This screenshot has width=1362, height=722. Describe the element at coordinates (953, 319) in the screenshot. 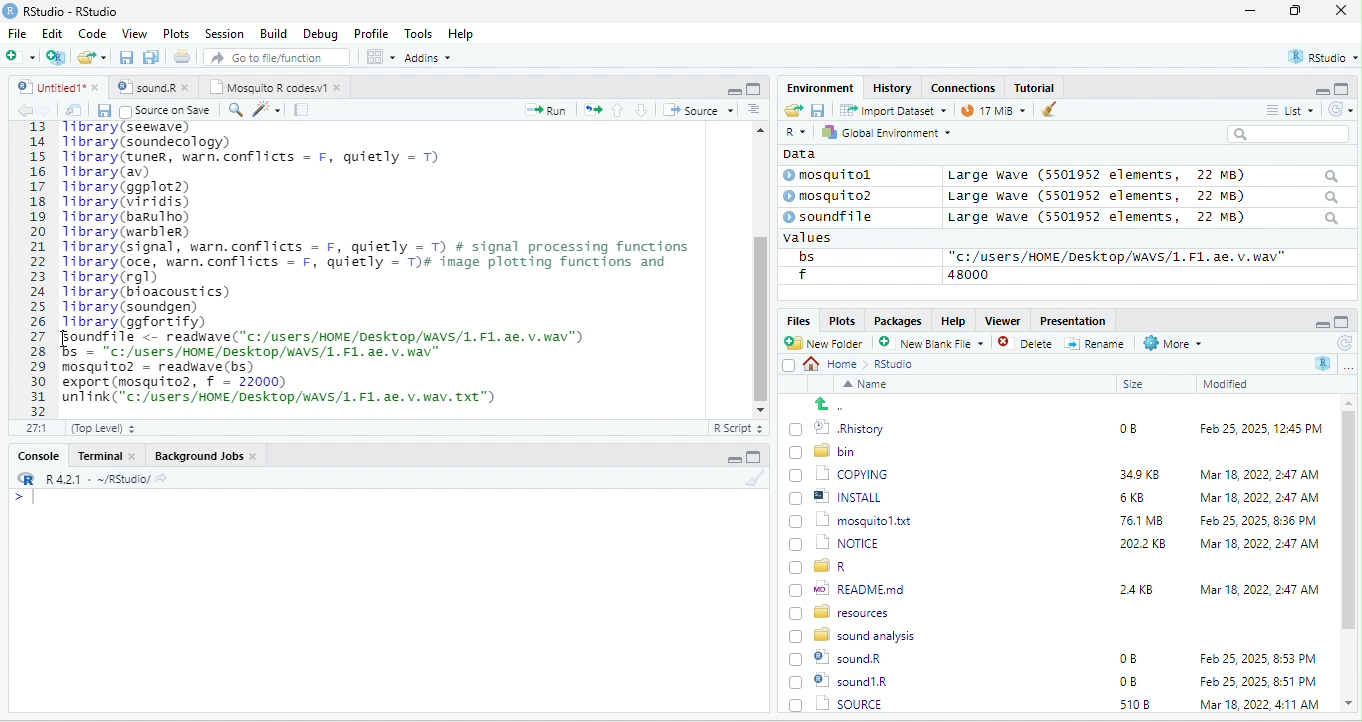

I see `Help` at that location.